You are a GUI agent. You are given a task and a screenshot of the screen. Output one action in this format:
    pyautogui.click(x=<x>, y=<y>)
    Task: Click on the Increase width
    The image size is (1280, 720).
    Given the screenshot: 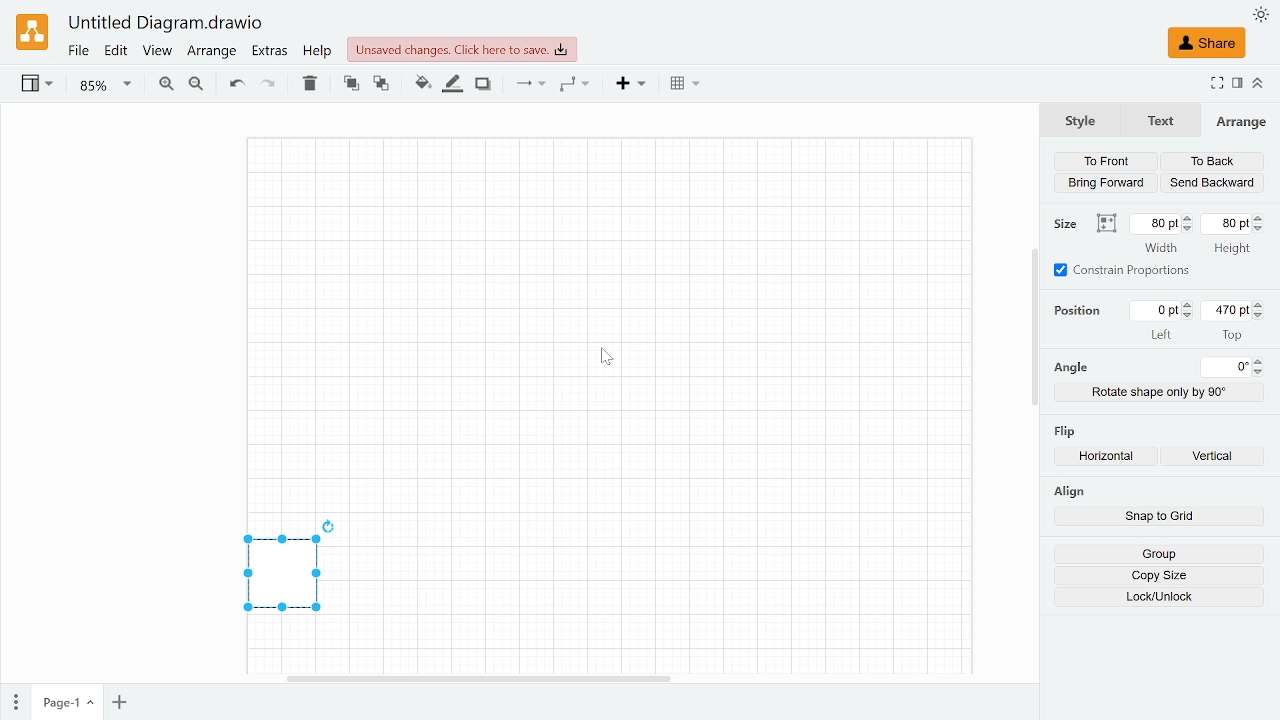 What is the action you would take?
    pyautogui.click(x=1189, y=218)
    